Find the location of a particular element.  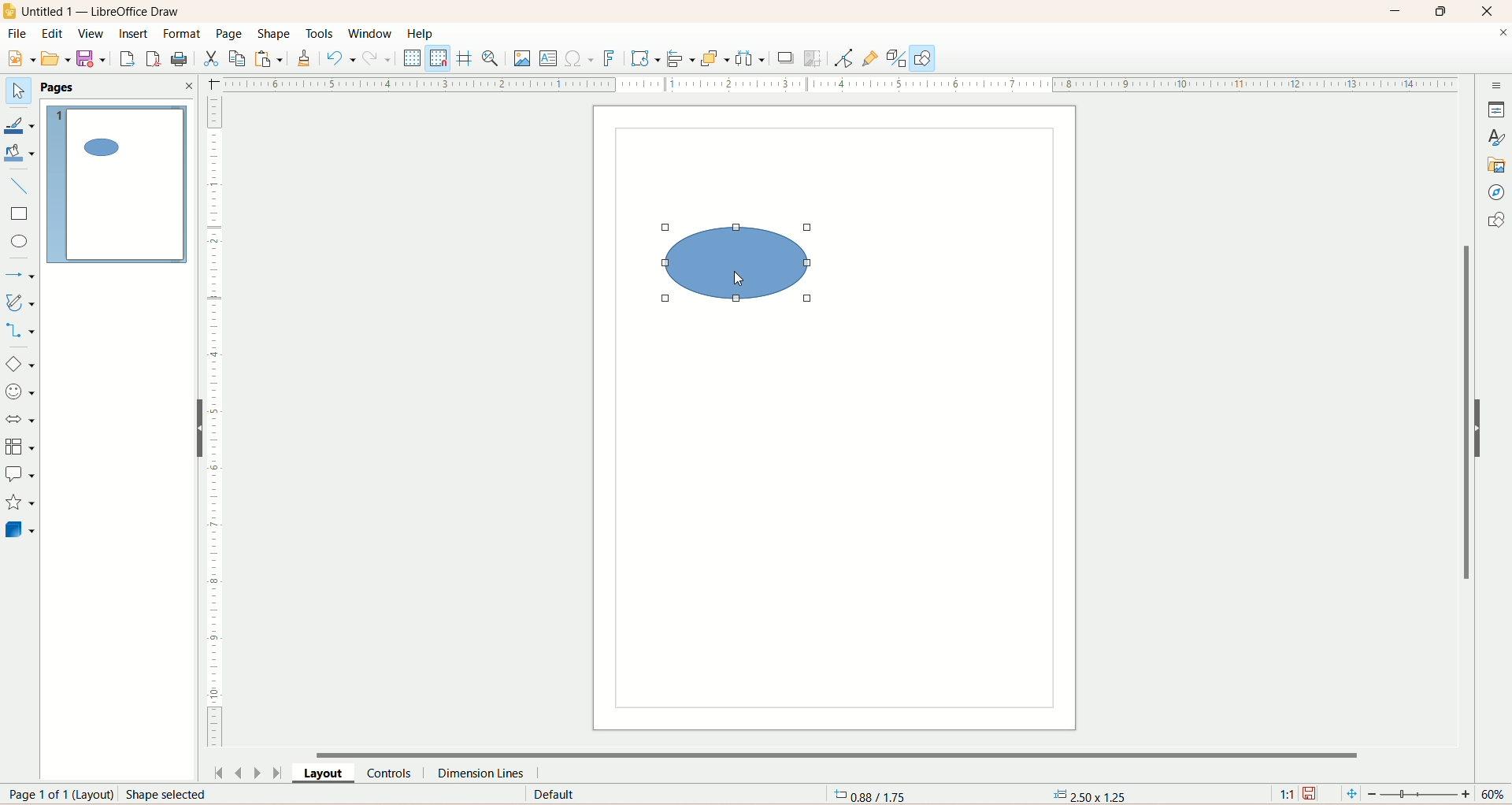

curve and polygon is located at coordinates (20, 302).